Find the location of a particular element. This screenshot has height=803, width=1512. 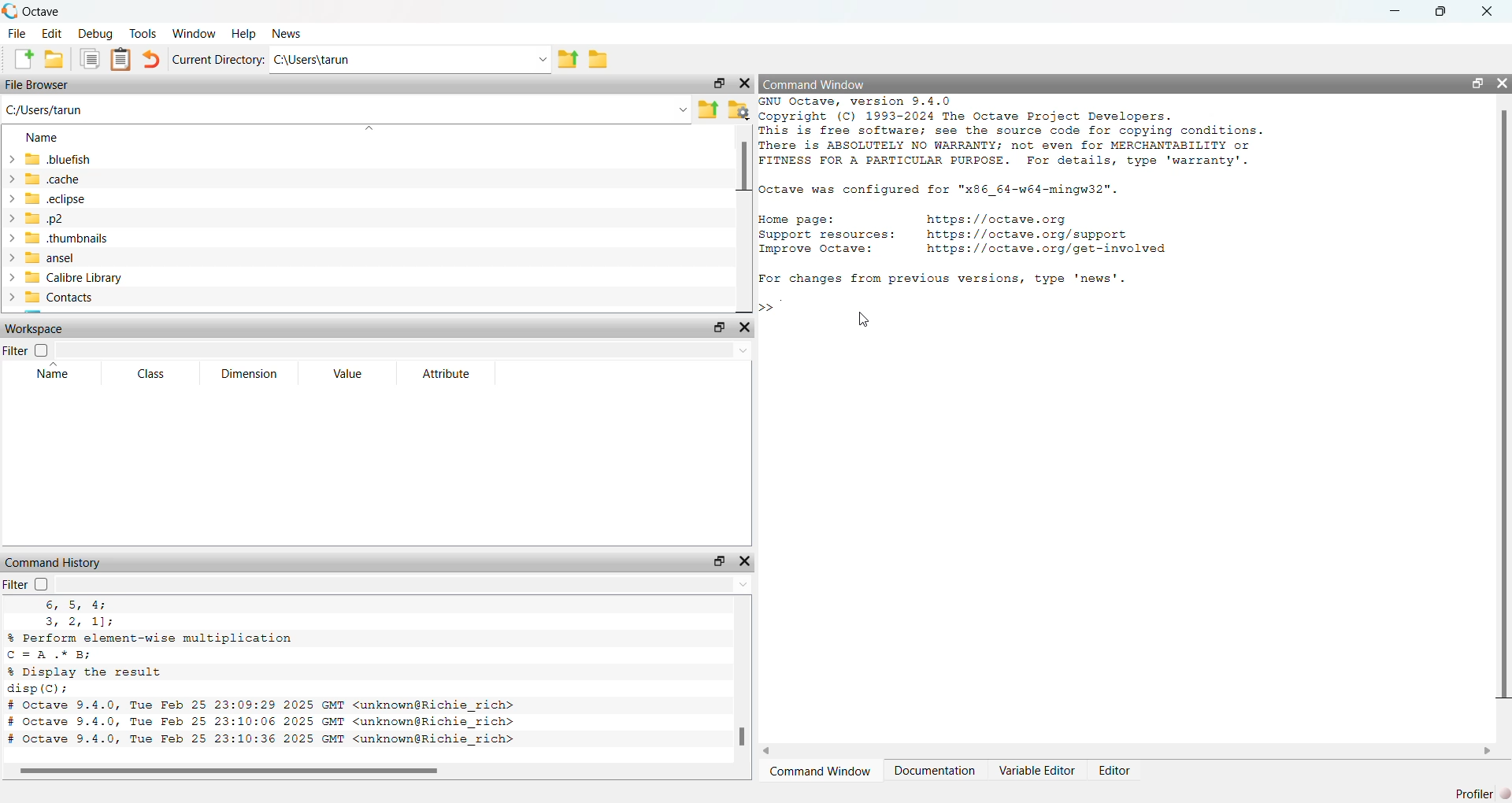

Restore Down is located at coordinates (719, 83).